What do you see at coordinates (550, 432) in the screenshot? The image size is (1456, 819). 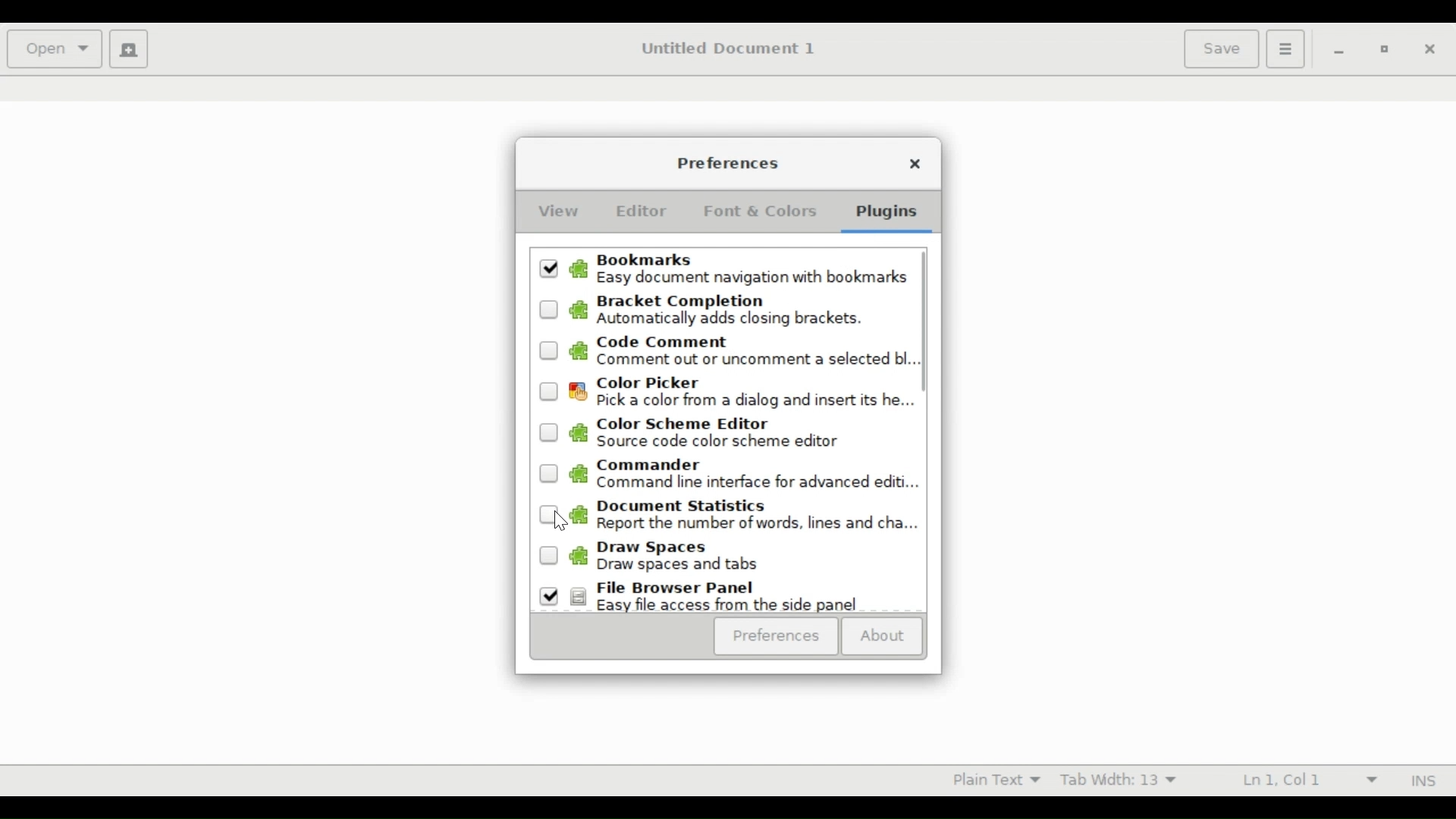 I see `Unselected` at bounding box center [550, 432].